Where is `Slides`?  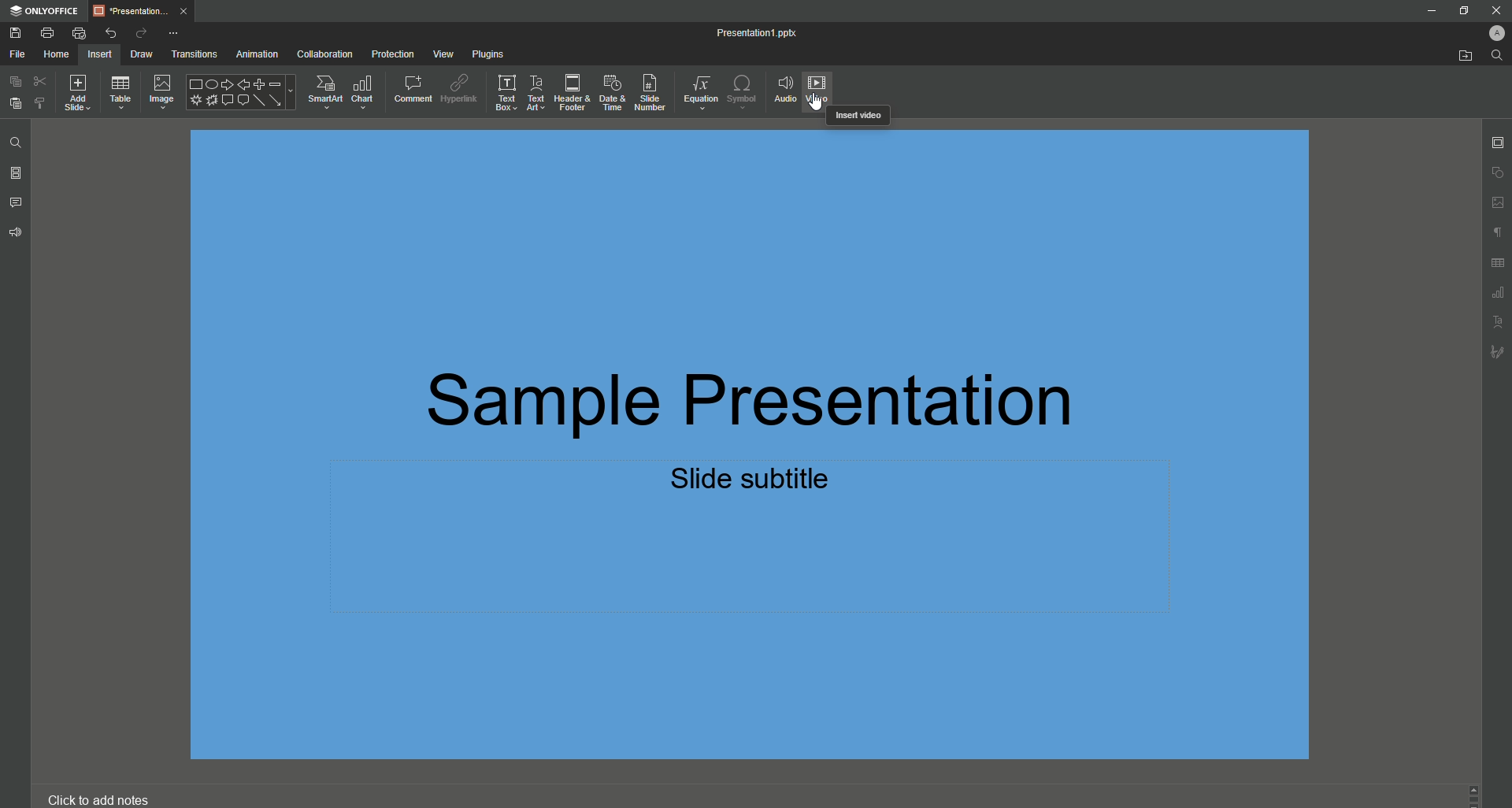 Slides is located at coordinates (17, 173).